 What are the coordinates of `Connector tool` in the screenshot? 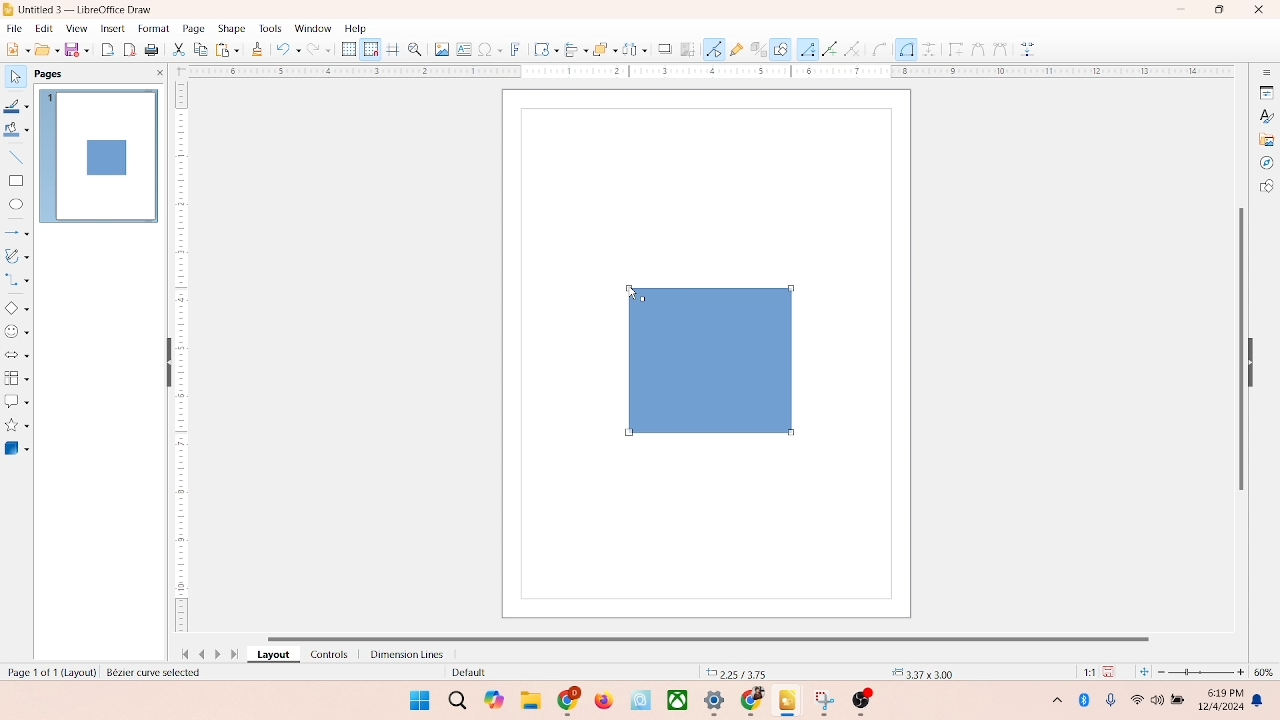 It's located at (906, 49).